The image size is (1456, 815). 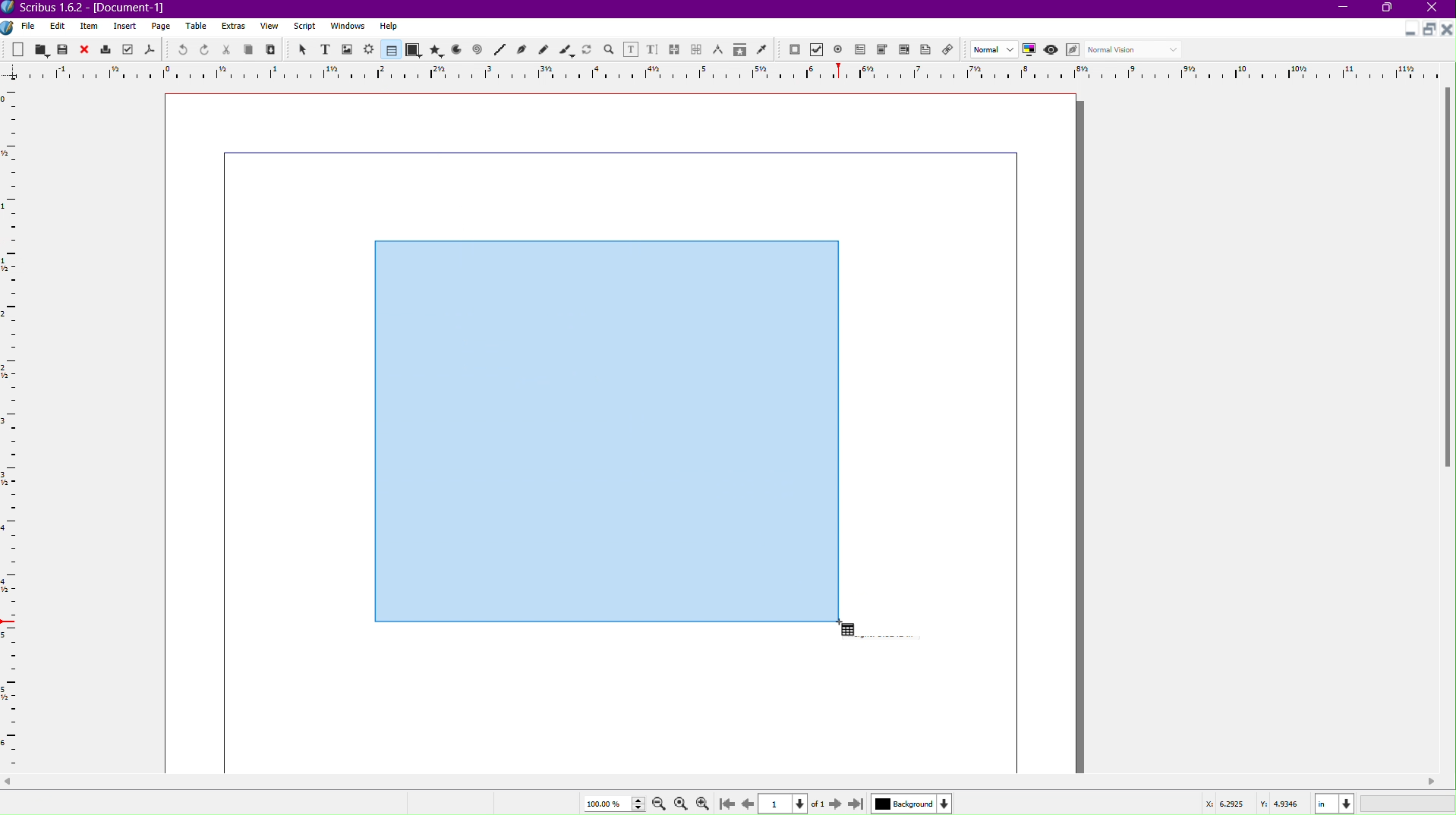 I want to click on Coordinates, so click(x=1325, y=802).